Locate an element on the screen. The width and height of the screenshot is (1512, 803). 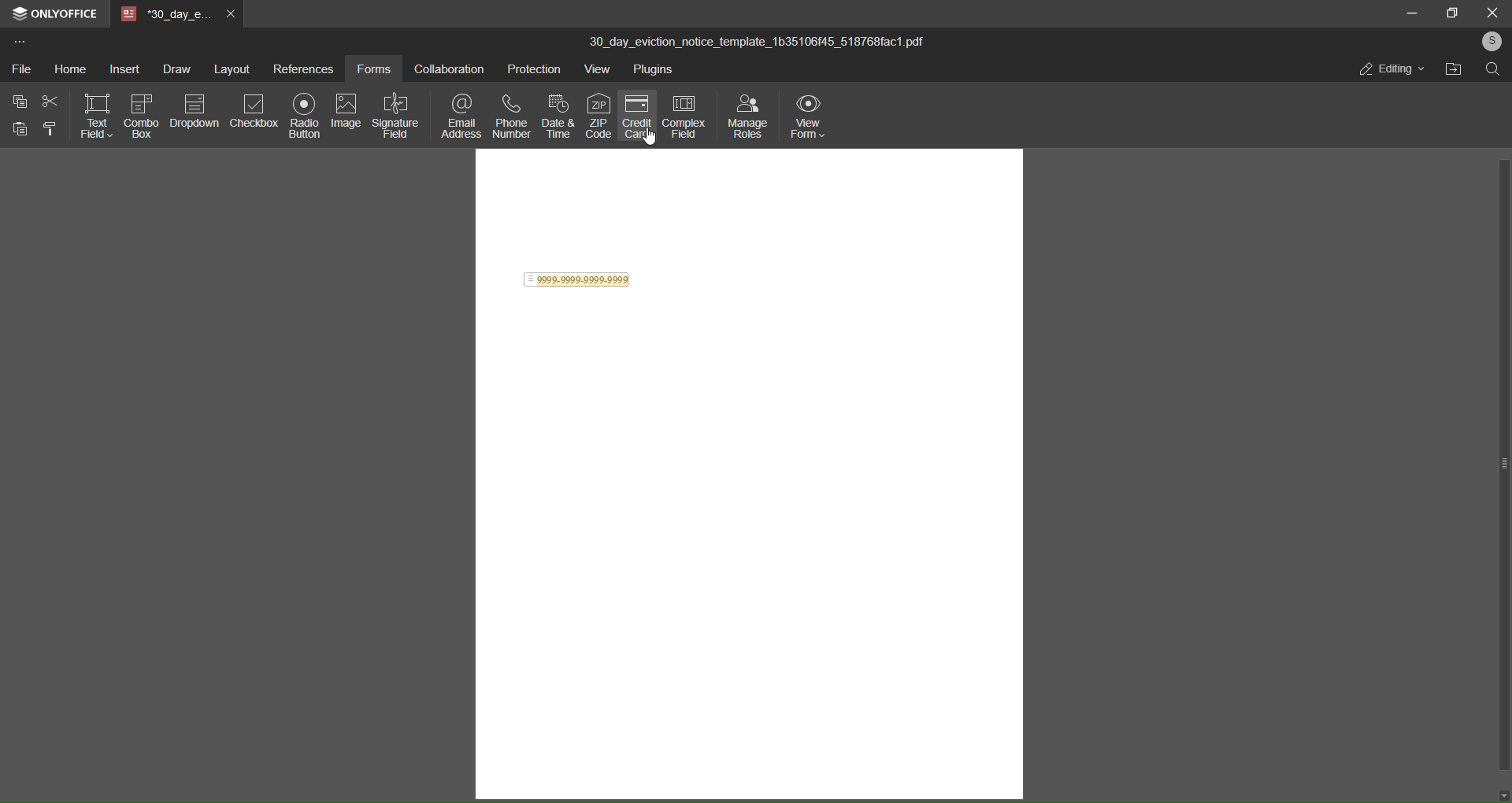
search is located at coordinates (1493, 70).